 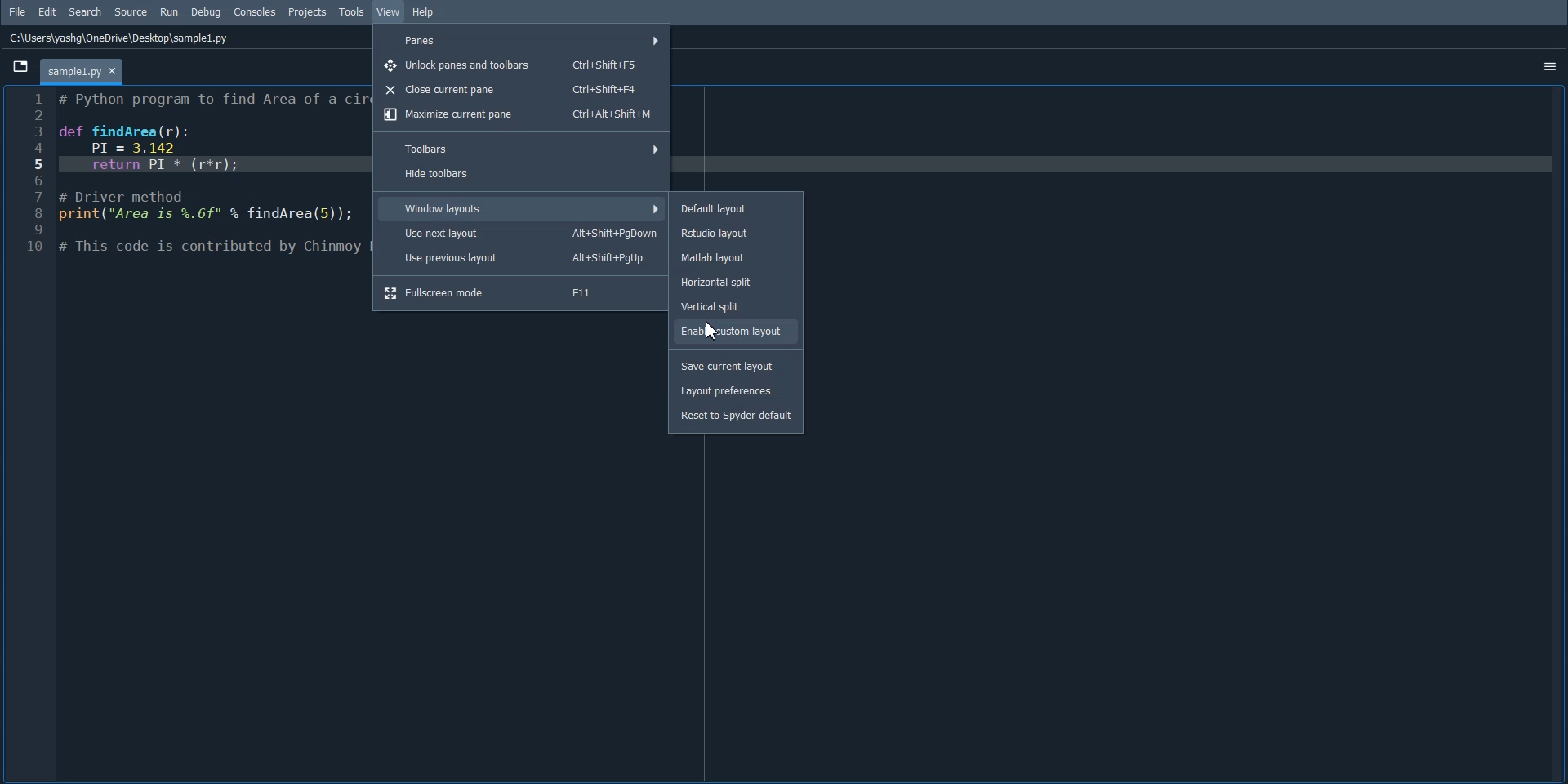 I want to click on Reset to spyder default, so click(x=739, y=419).